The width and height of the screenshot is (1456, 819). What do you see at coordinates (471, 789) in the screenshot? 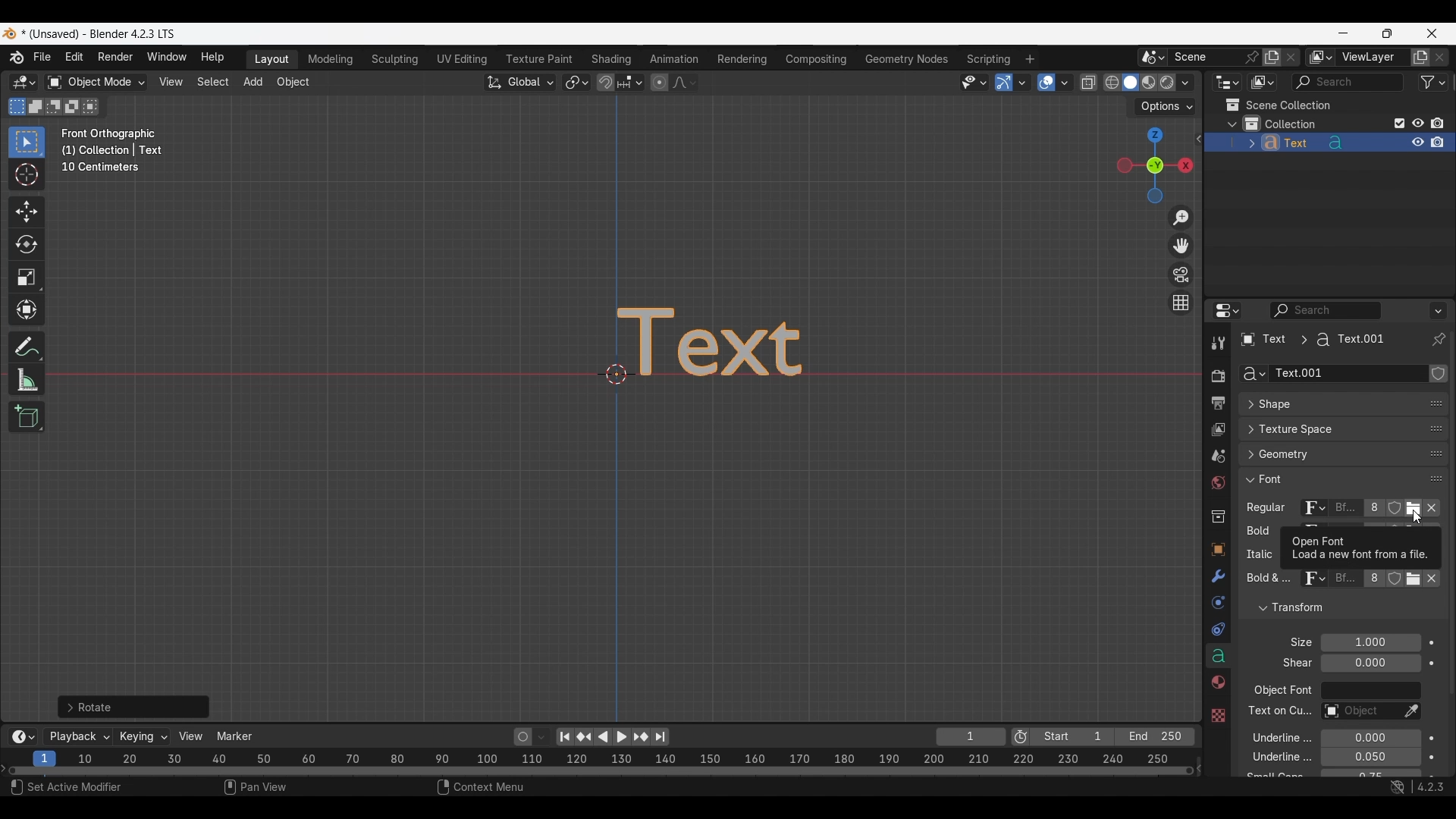
I see `content menu` at bounding box center [471, 789].